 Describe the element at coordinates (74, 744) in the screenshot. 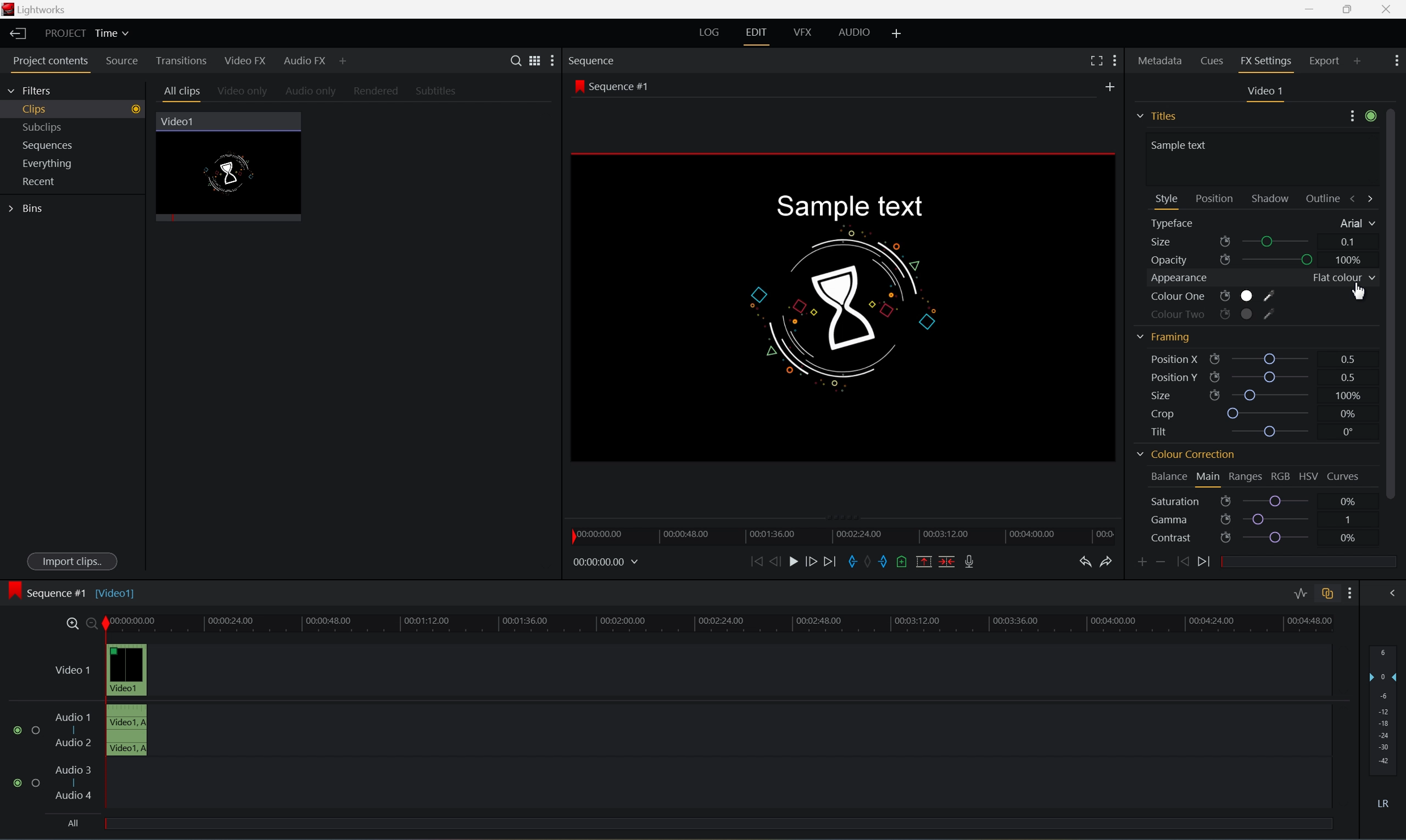

I see `Audio 2` at that location.